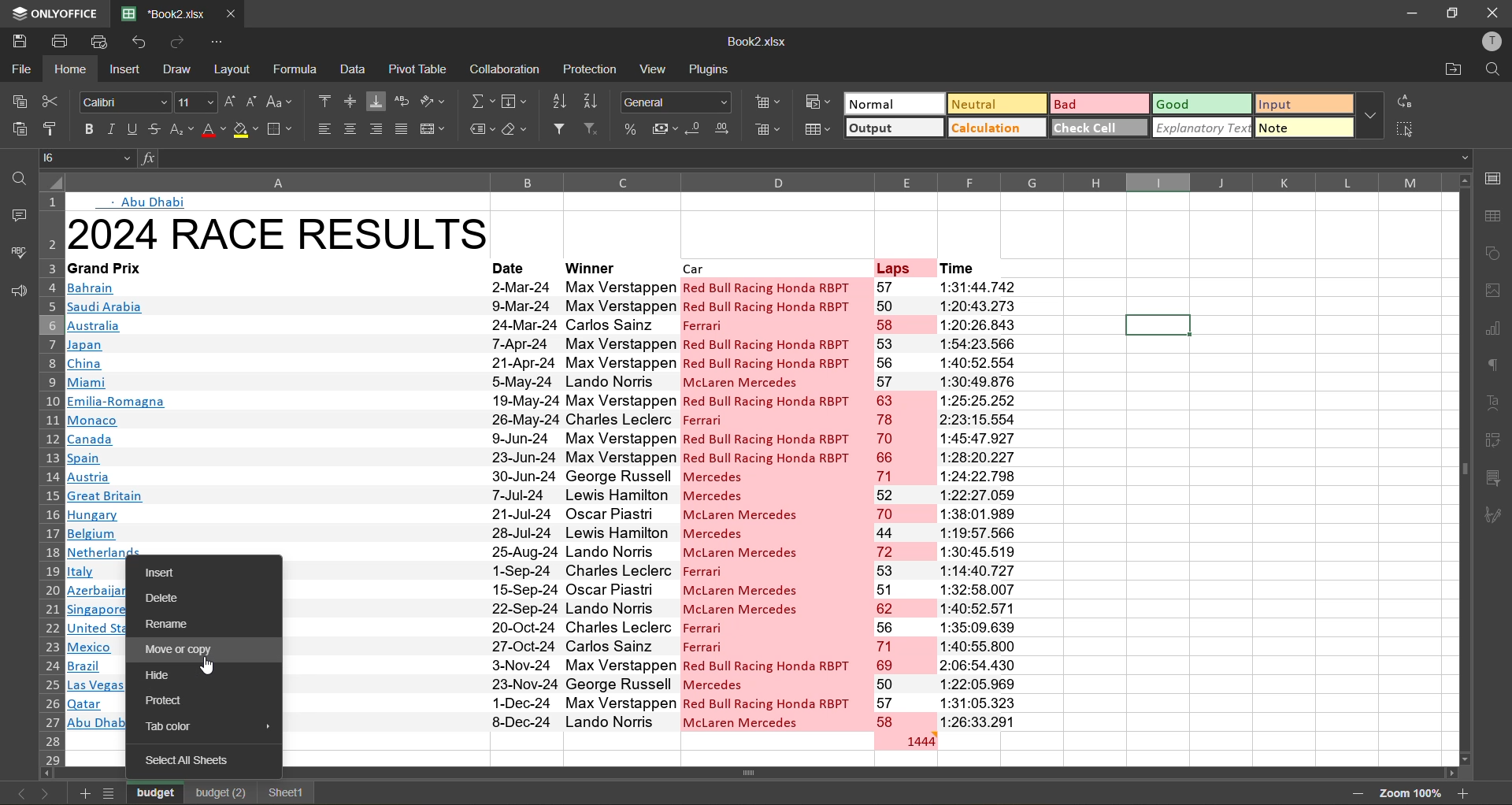 The image size is (1512, 805). I want to click on time, so click(980, 504).